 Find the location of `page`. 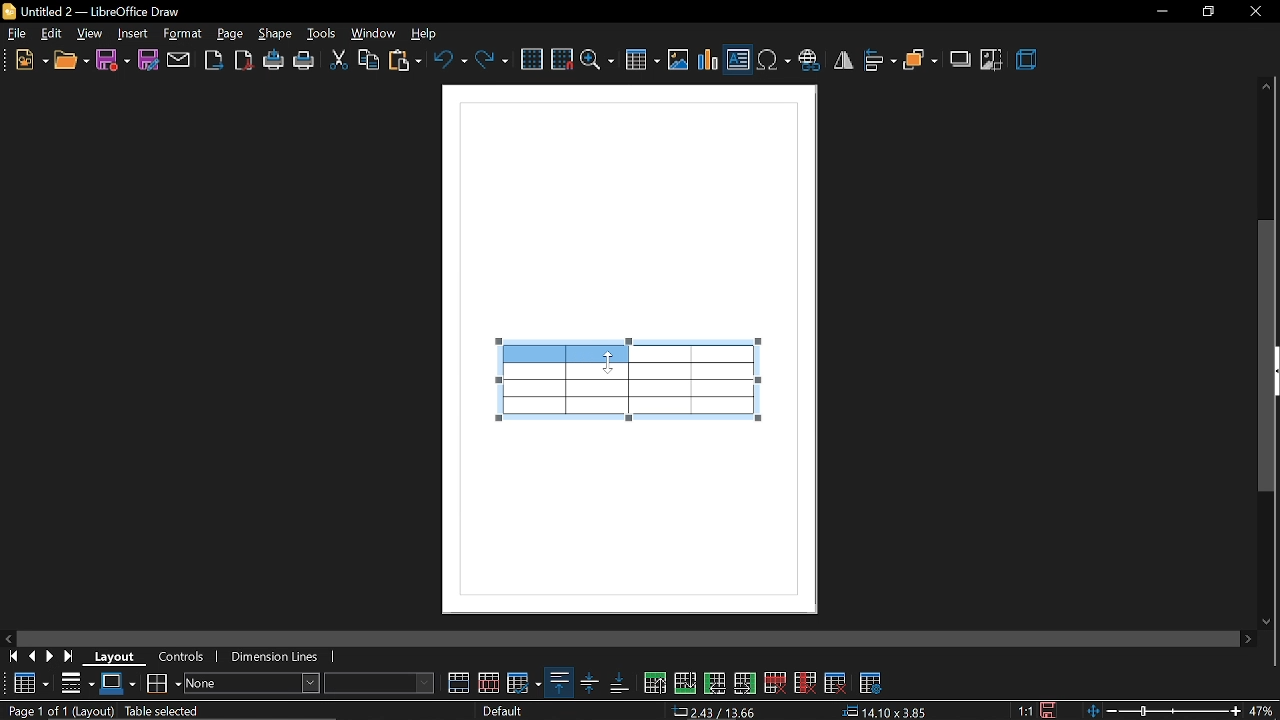

page is located at coordinates (230, 30).